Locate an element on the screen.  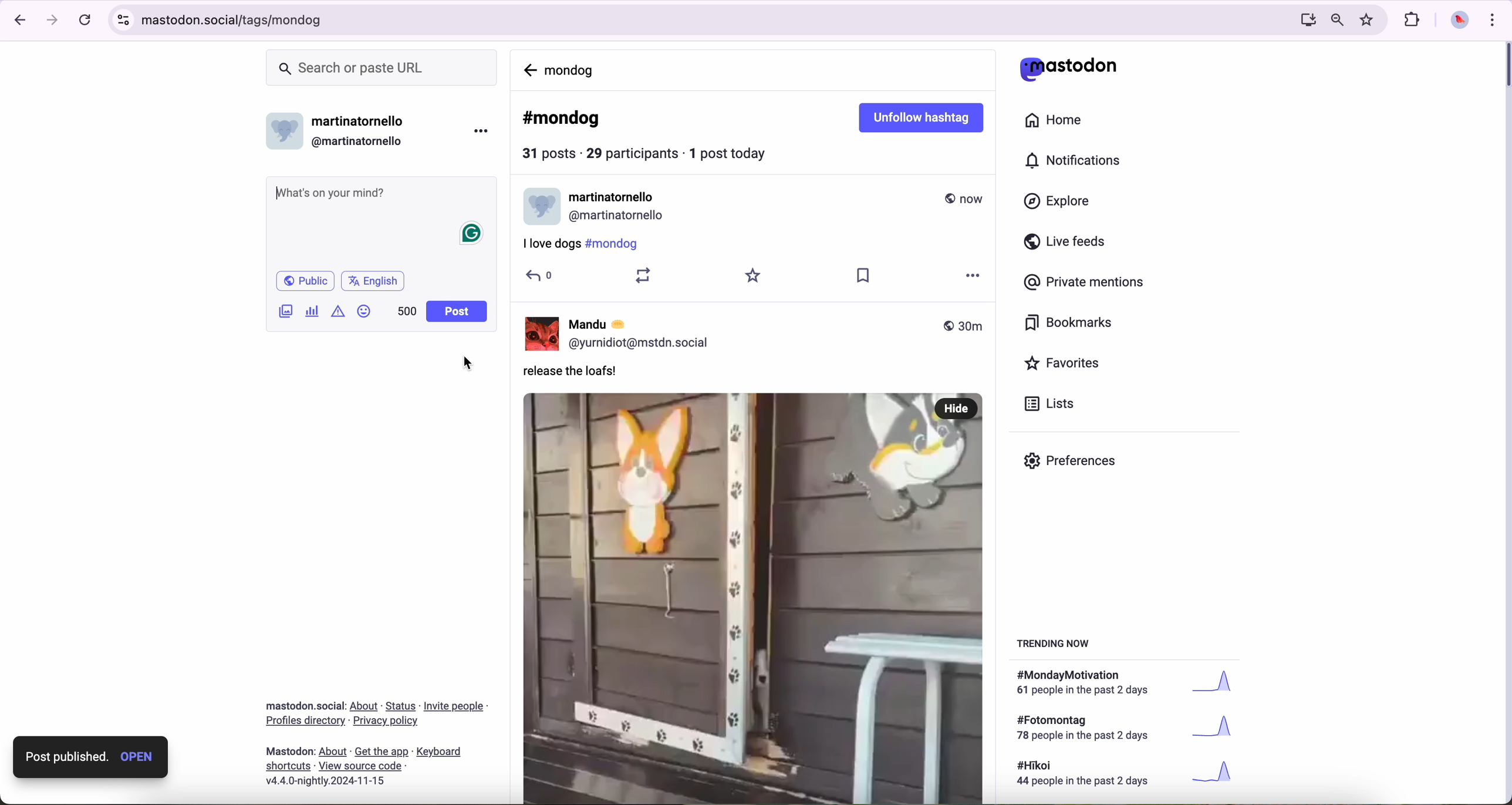
gif is located at coordinates (964, 706).